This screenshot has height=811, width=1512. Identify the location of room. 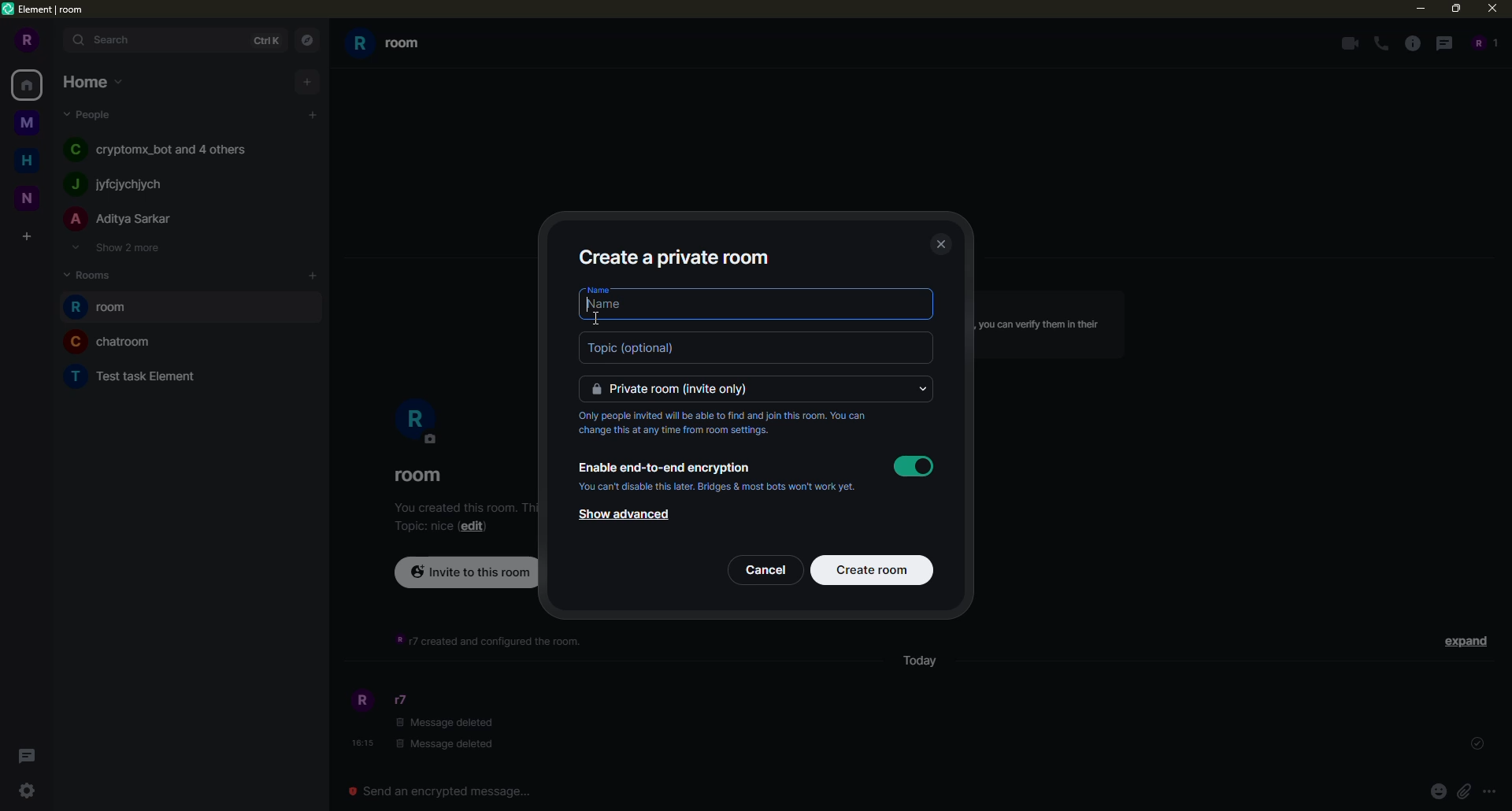
(394, 46).